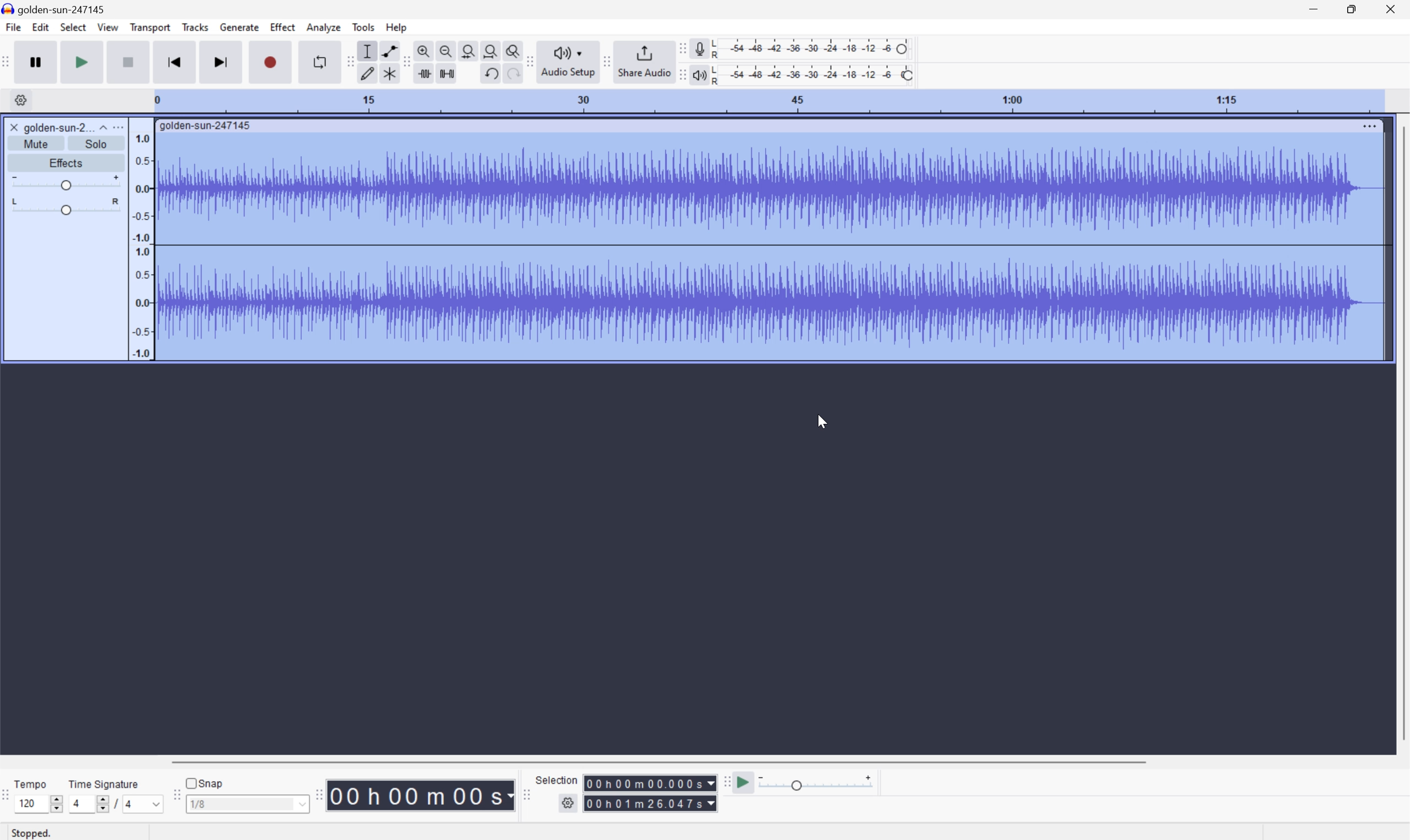  Describe the element at coordinates (363, 25) in the screenshot. I see `Tools` at that location.